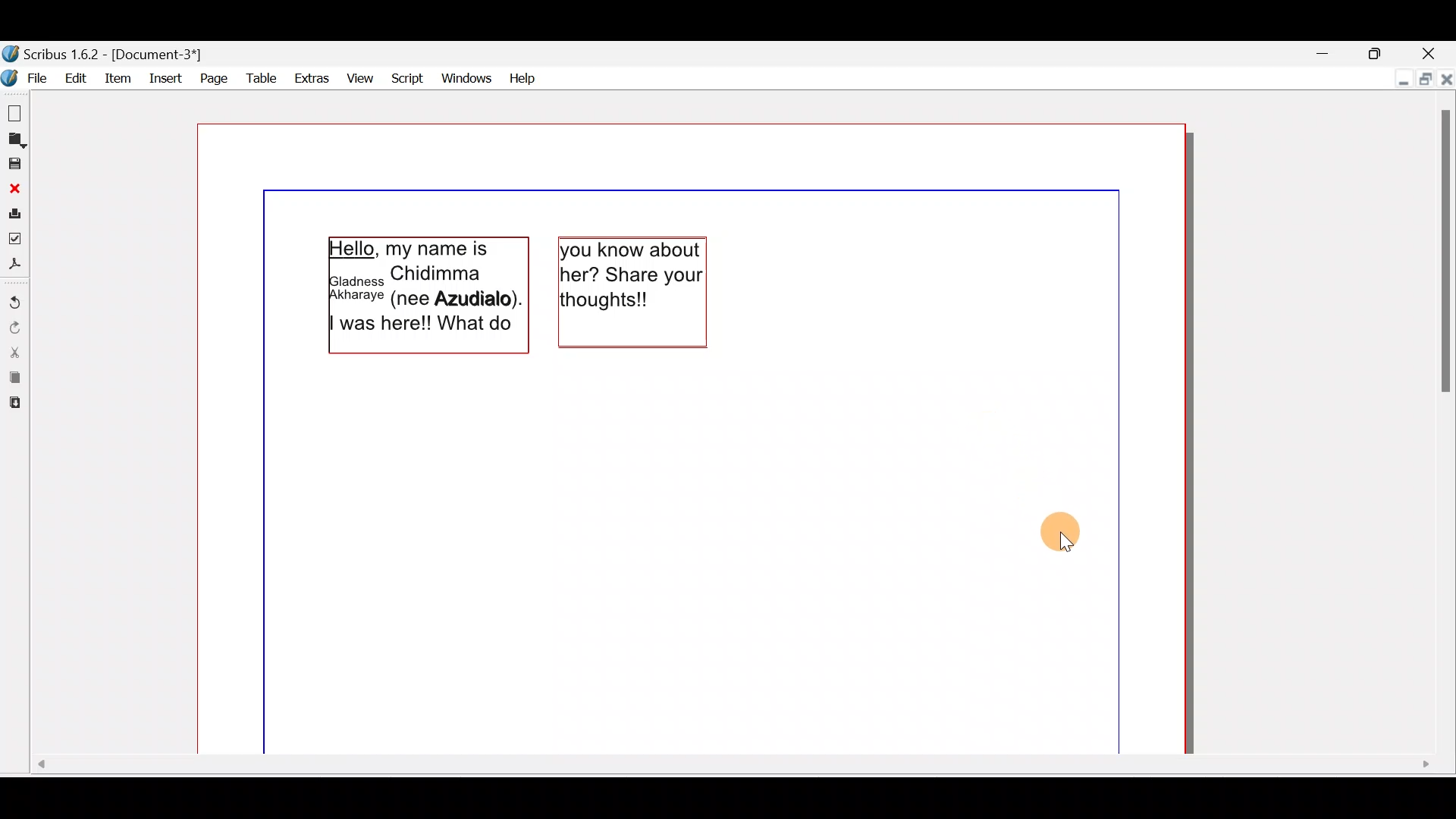 Image resolution: width=1456 pixels, height=819 pixels. I want to click on Edit, so click(77, 78).